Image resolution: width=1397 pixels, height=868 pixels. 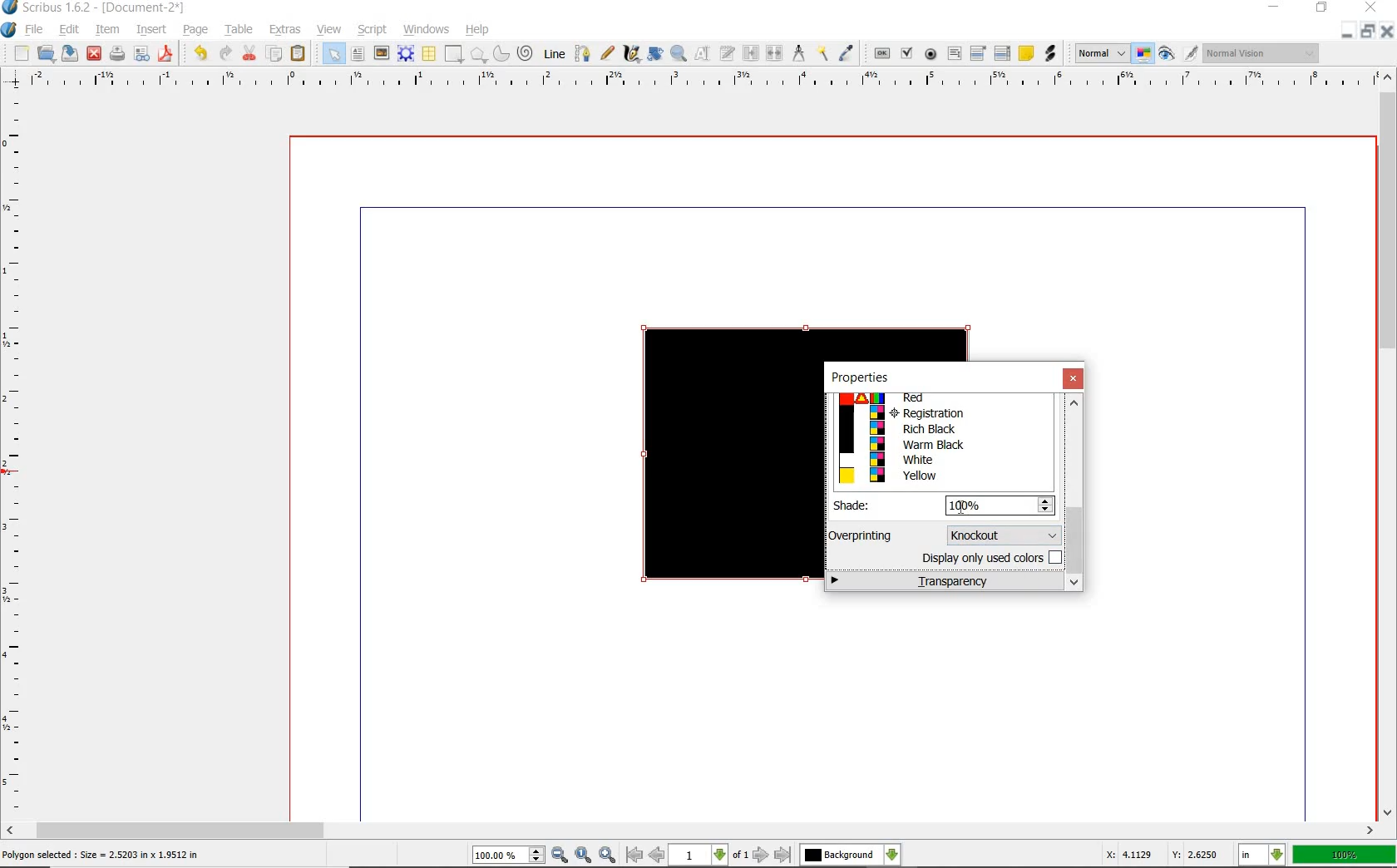 I want to click on calligraphic line, so click(x=631, y=54).